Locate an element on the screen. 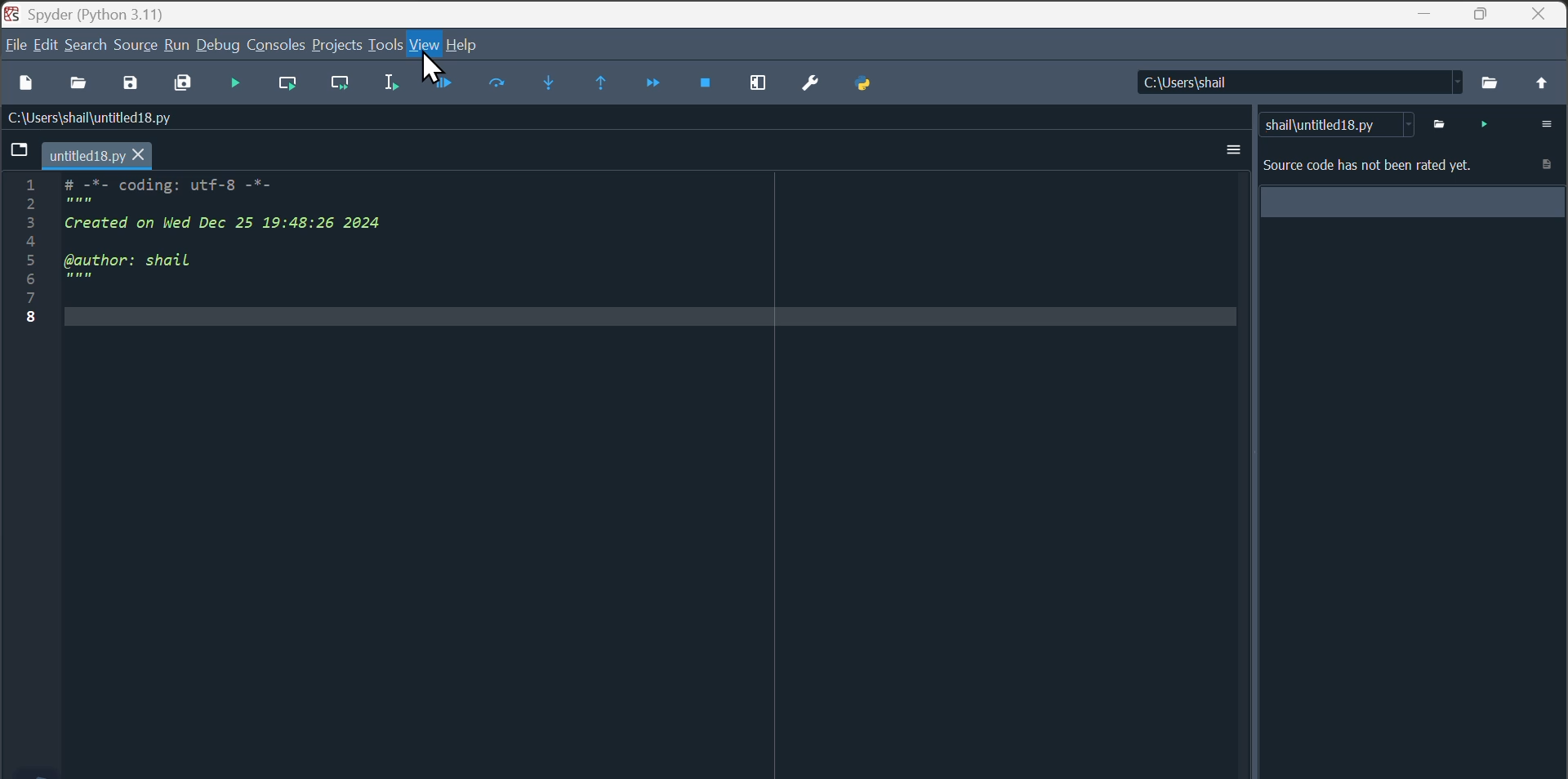 This screenshot has width=1568, height=779. Consoles is located at coordinates (276, 45).